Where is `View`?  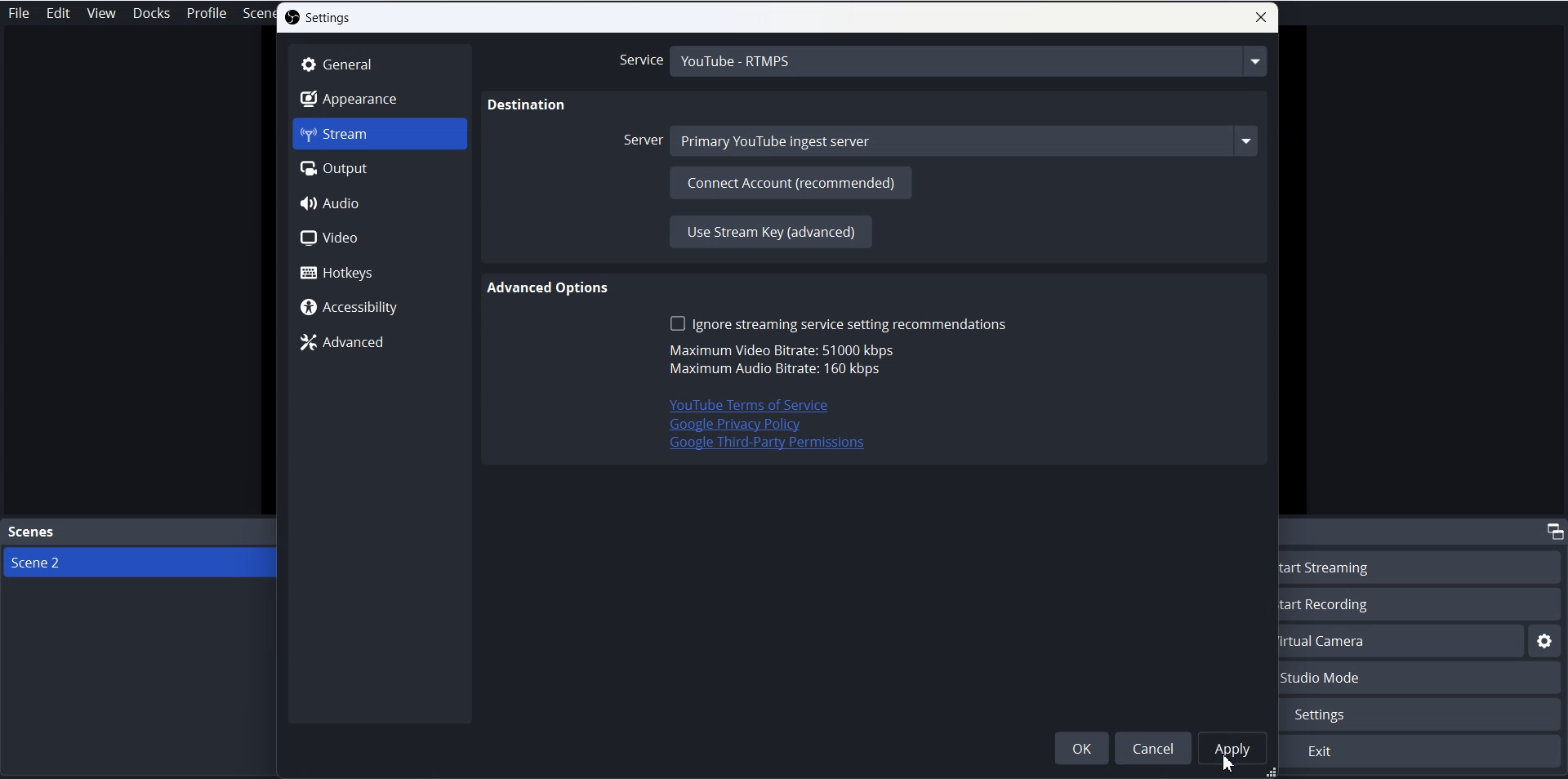
View is located at coordinates (101, 13).